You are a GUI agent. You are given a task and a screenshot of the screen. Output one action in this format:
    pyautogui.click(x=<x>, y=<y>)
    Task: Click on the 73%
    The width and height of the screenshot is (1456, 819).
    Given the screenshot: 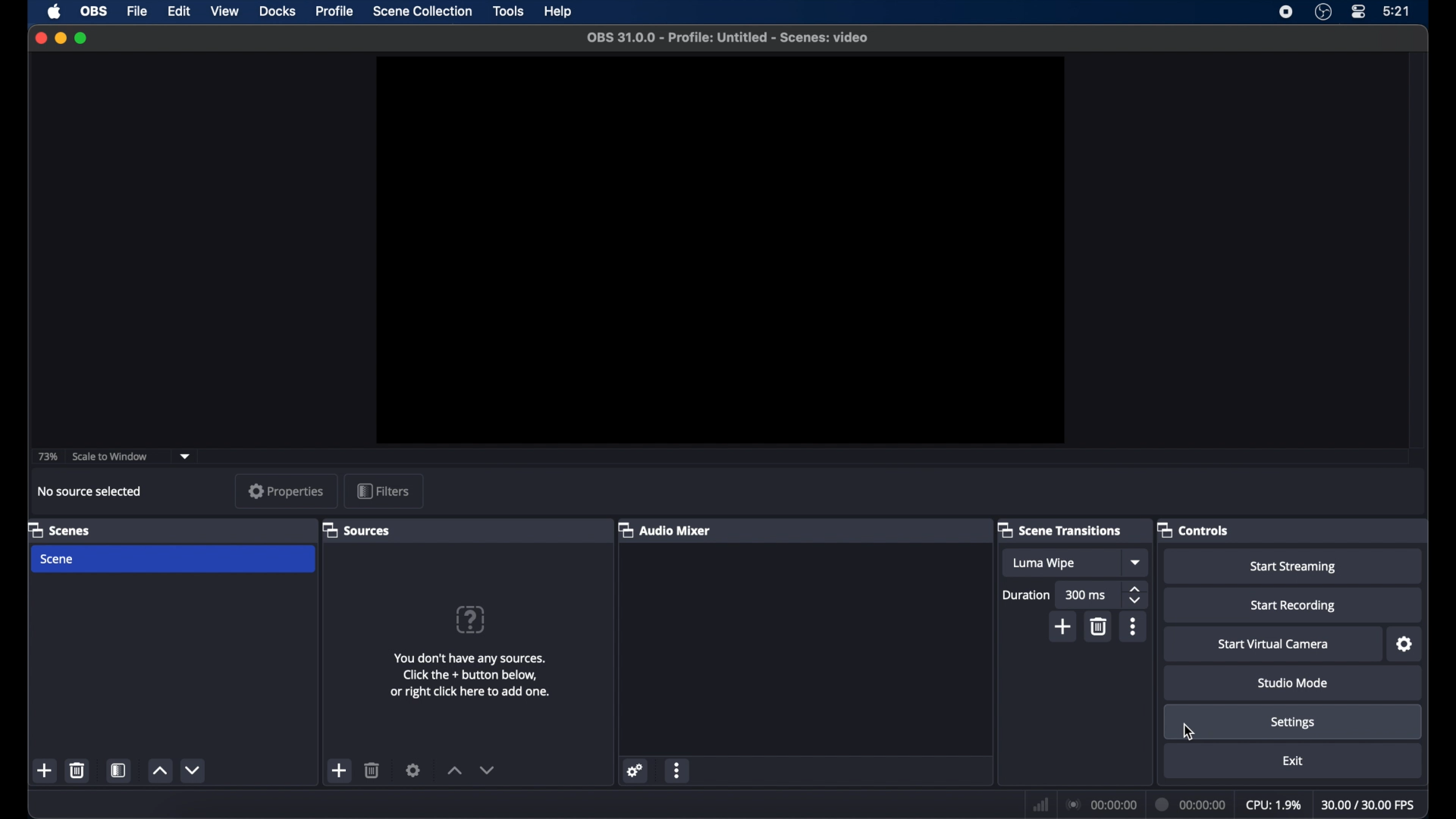 What is the action you would take?
    pyautogui.click(x=47, y=457)
    